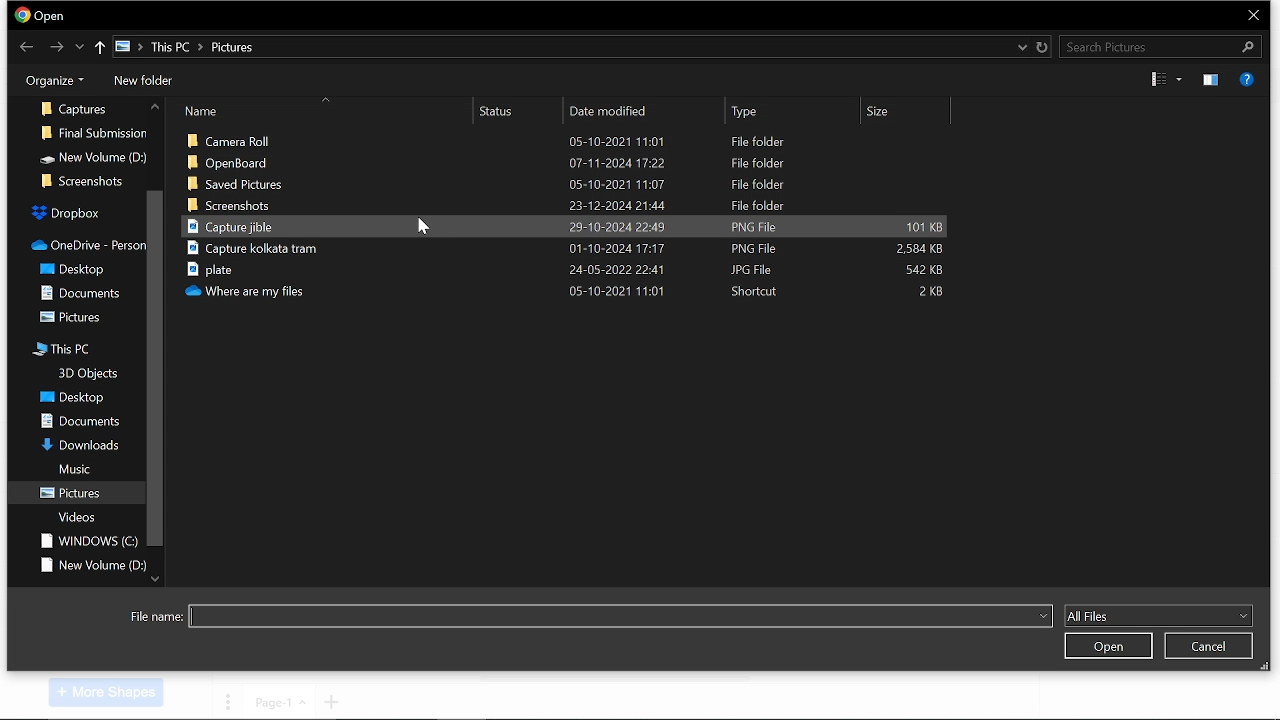  What do you see at coordinates (78, 422) in the screenshot?
I see `folders` at bounding box center [78, 422].